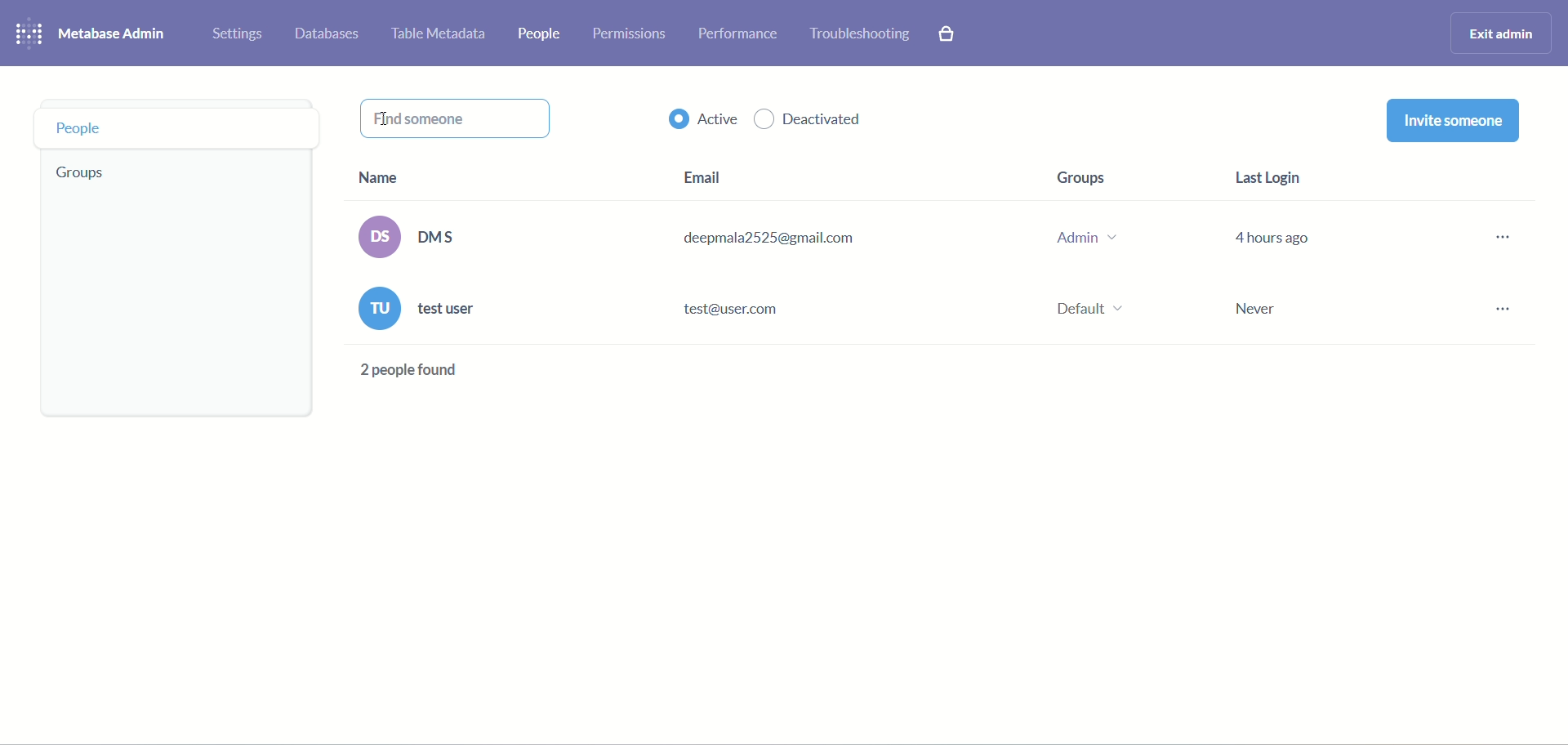 The height and width of the screenshot is (745, 1568). Describe the element at coordinates (87, 176) in the screenshot. I see `groups` at that location.